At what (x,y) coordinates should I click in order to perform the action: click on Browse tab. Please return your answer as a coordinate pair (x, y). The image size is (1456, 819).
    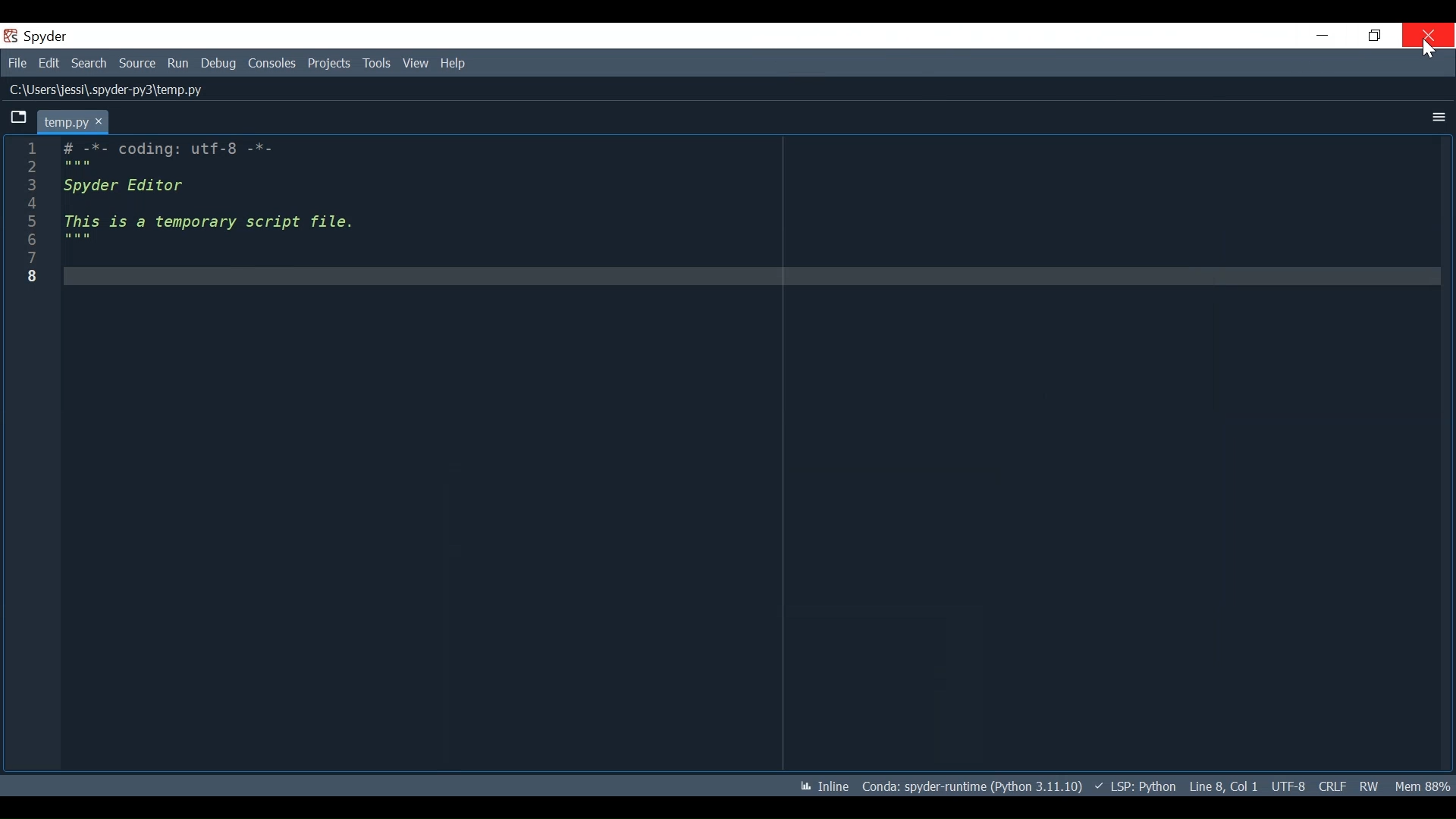
    Looking at the image, I should click on (20, 118).